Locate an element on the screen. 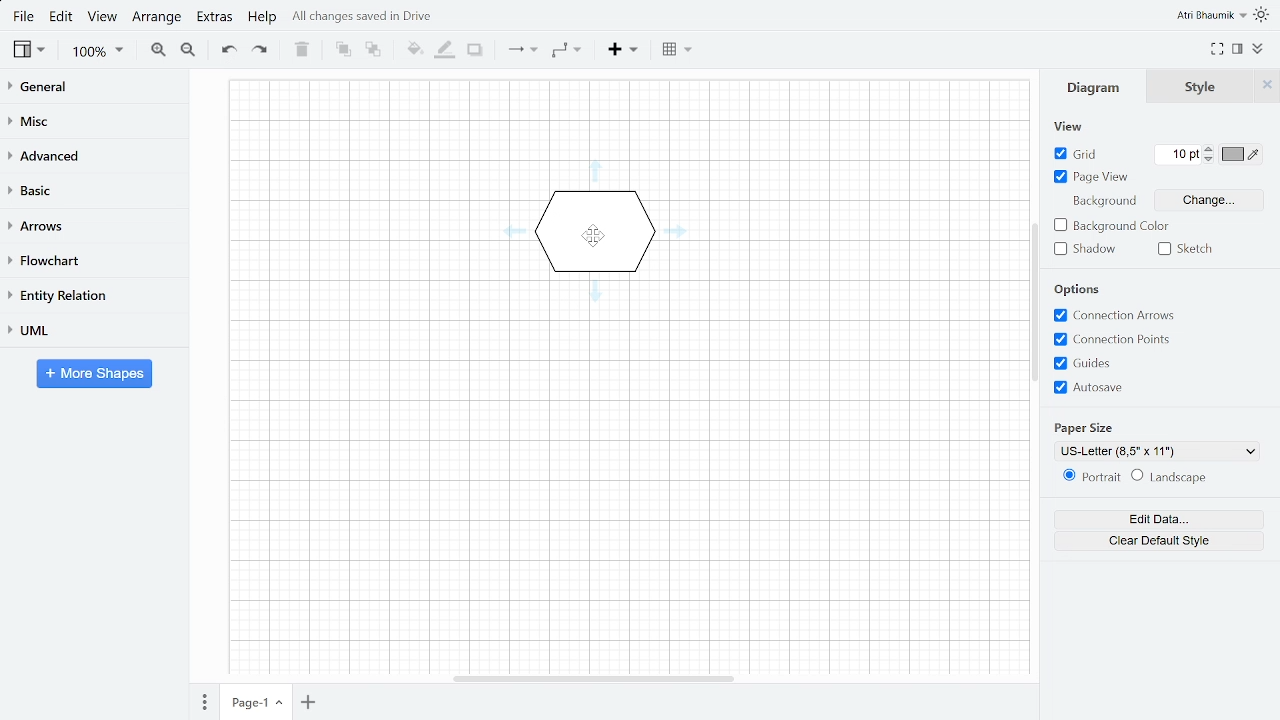 The image size is (1280, 720). Collapse is located at coordinates (1261, 48).